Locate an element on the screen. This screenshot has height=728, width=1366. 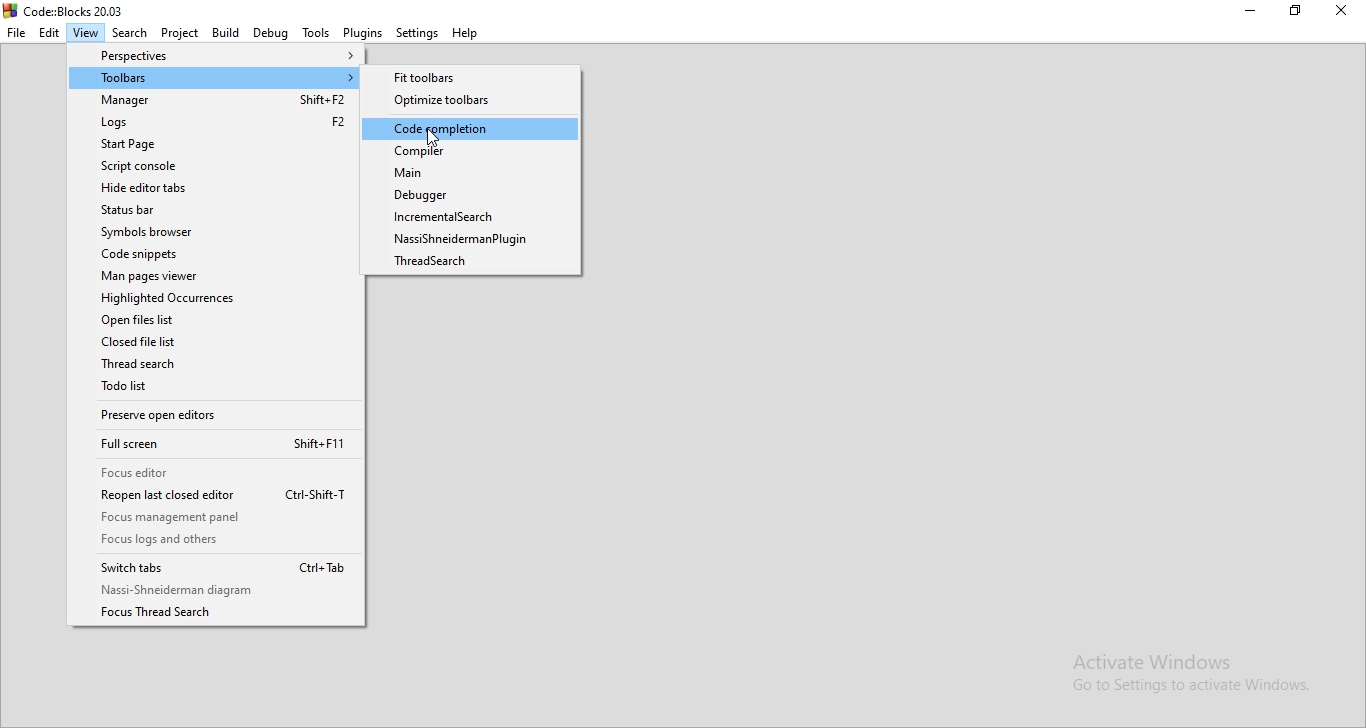
Tools  is located at coordinates (313, 33).